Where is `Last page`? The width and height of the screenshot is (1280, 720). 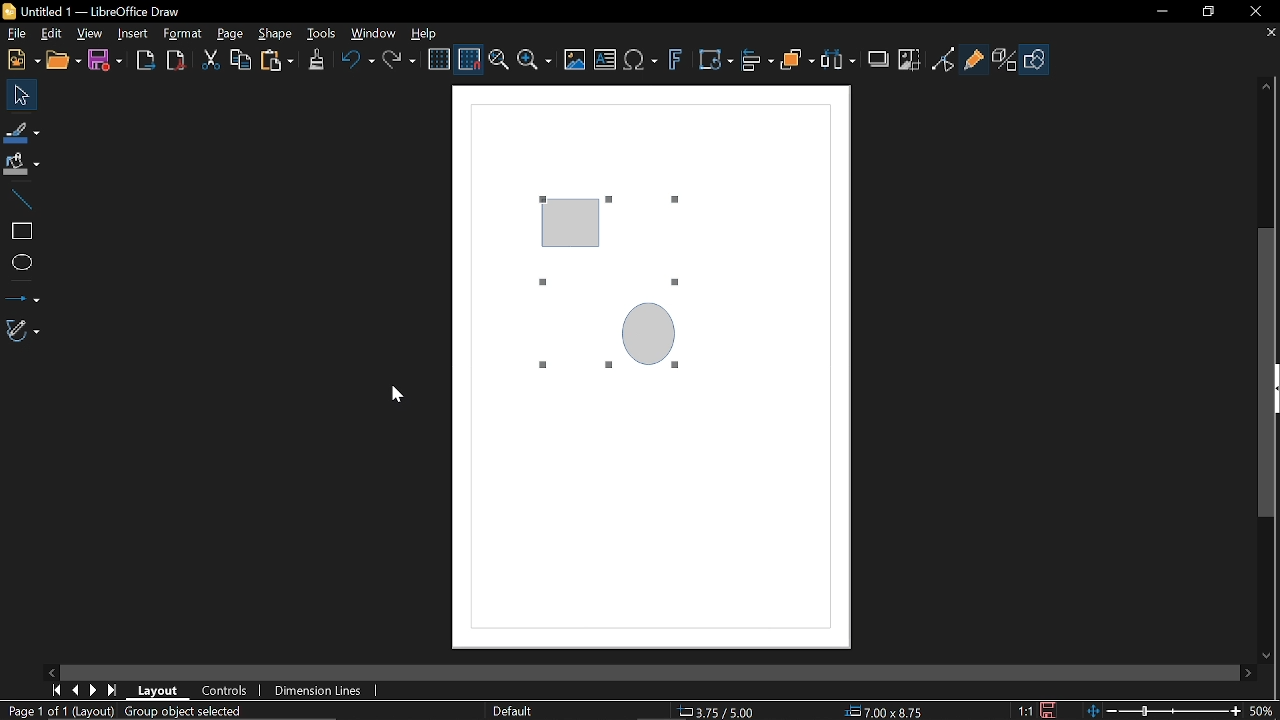
Last page is located at coordinates (115, 691).